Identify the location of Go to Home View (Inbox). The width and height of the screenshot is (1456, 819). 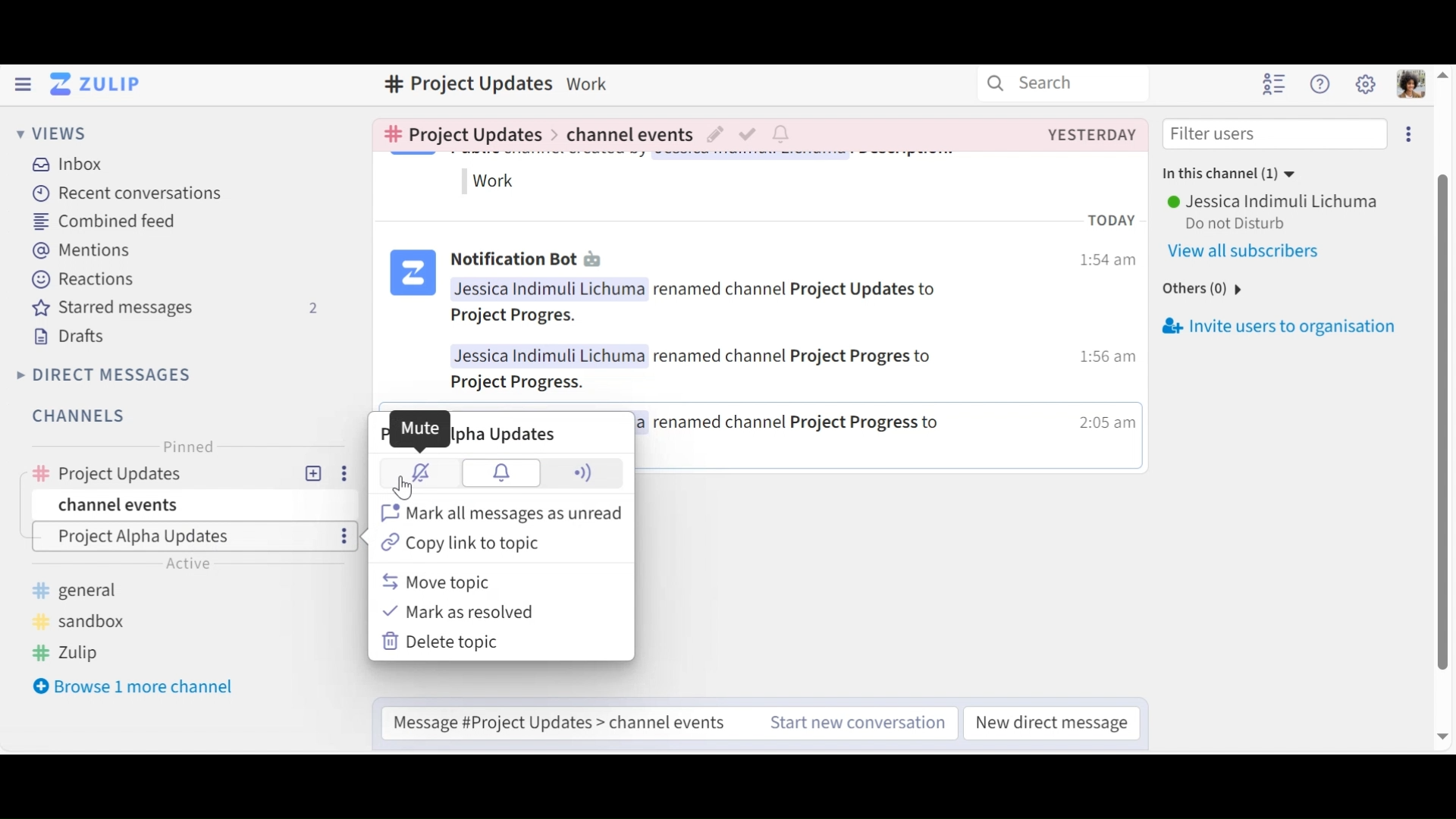
(96, 84).